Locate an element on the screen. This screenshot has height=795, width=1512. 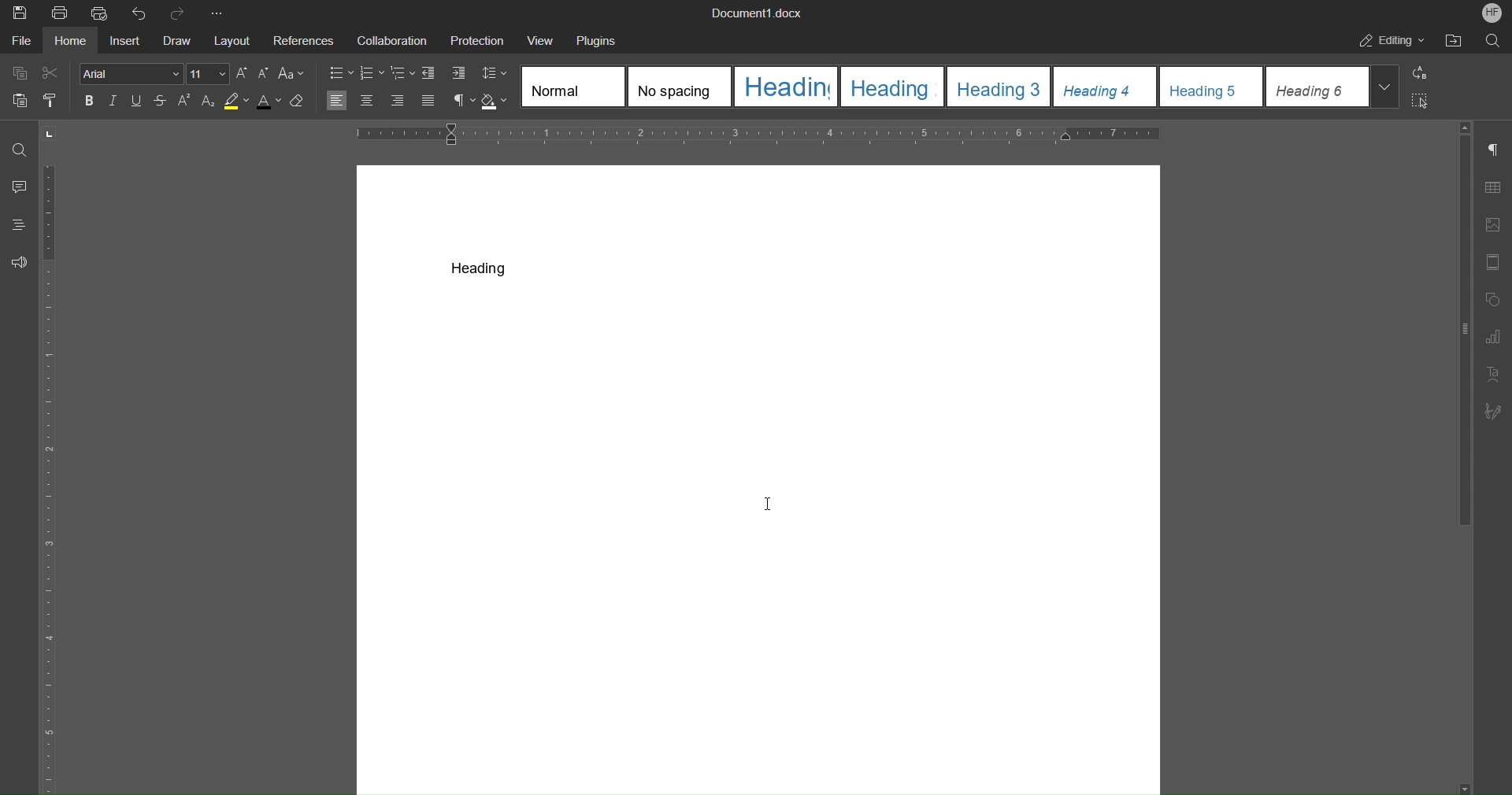
Shape Settings is located at coordinates (1494, 300).